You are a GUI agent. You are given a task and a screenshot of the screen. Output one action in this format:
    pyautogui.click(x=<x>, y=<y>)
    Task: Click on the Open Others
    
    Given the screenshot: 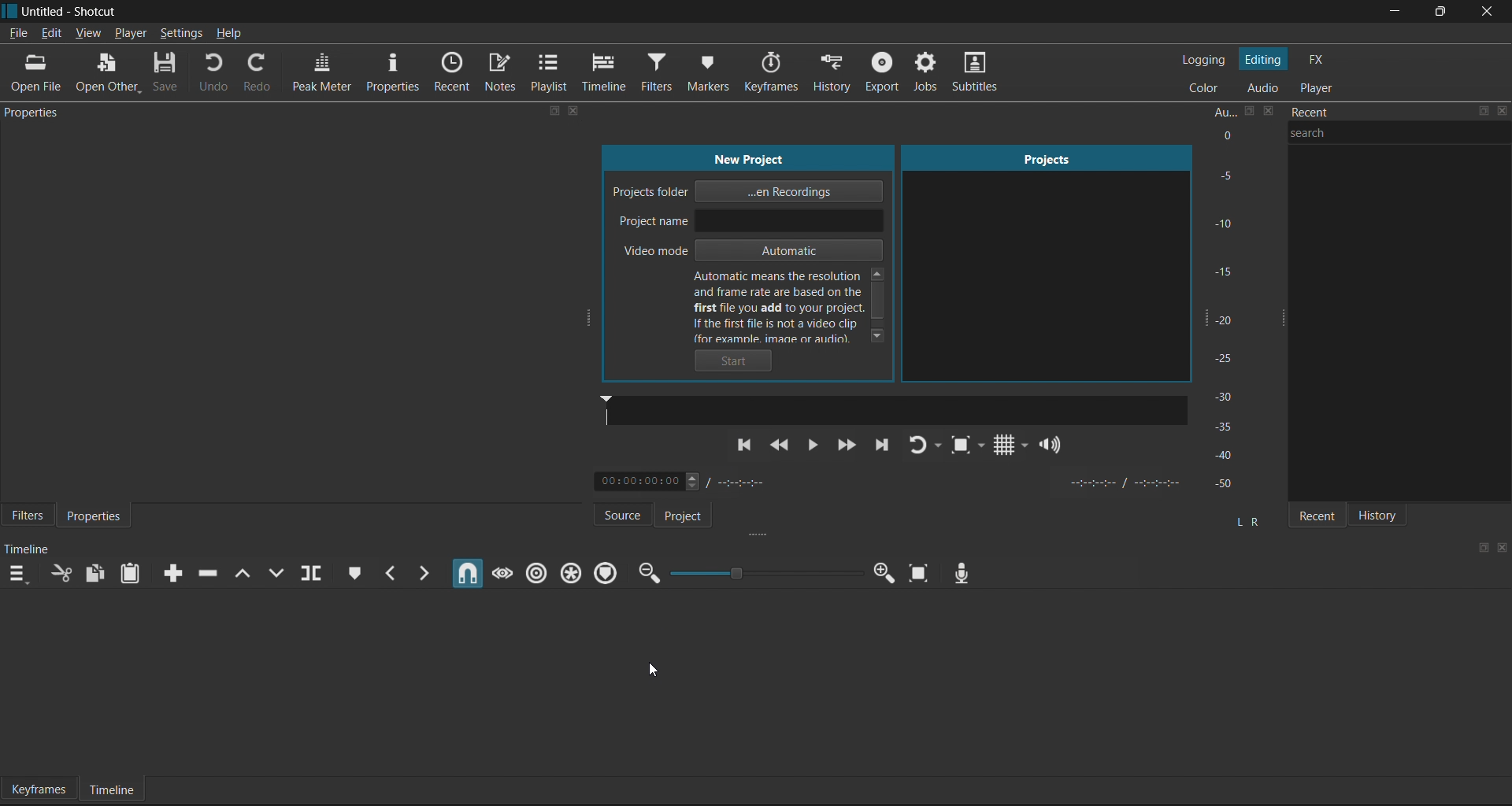 What is the action you would take?
    pyautogui.click(x=106, y=73)
    